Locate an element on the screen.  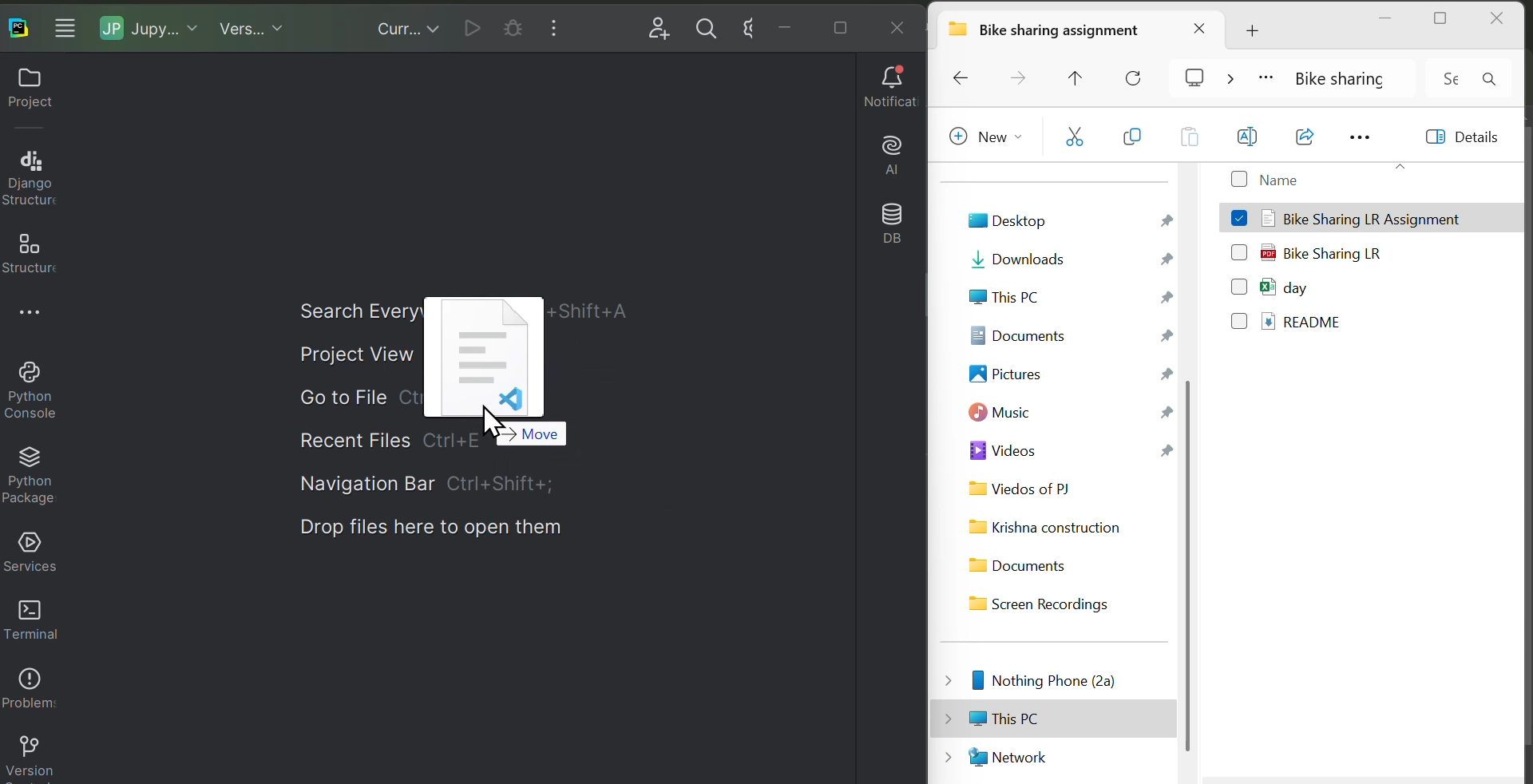
search is located at coordinates (1498, 79).